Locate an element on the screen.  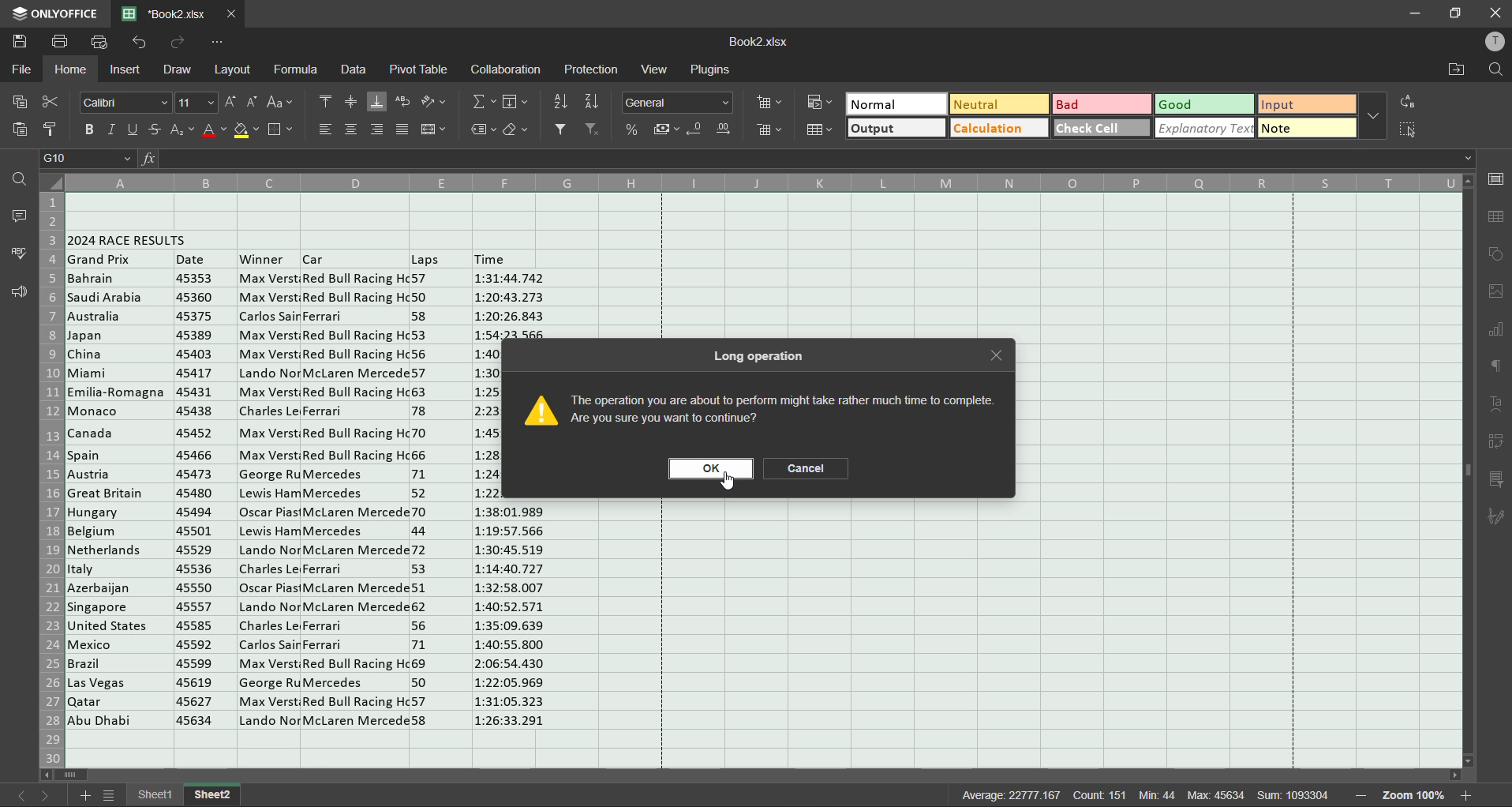
zoom in is located at coordinates (1465, 794).